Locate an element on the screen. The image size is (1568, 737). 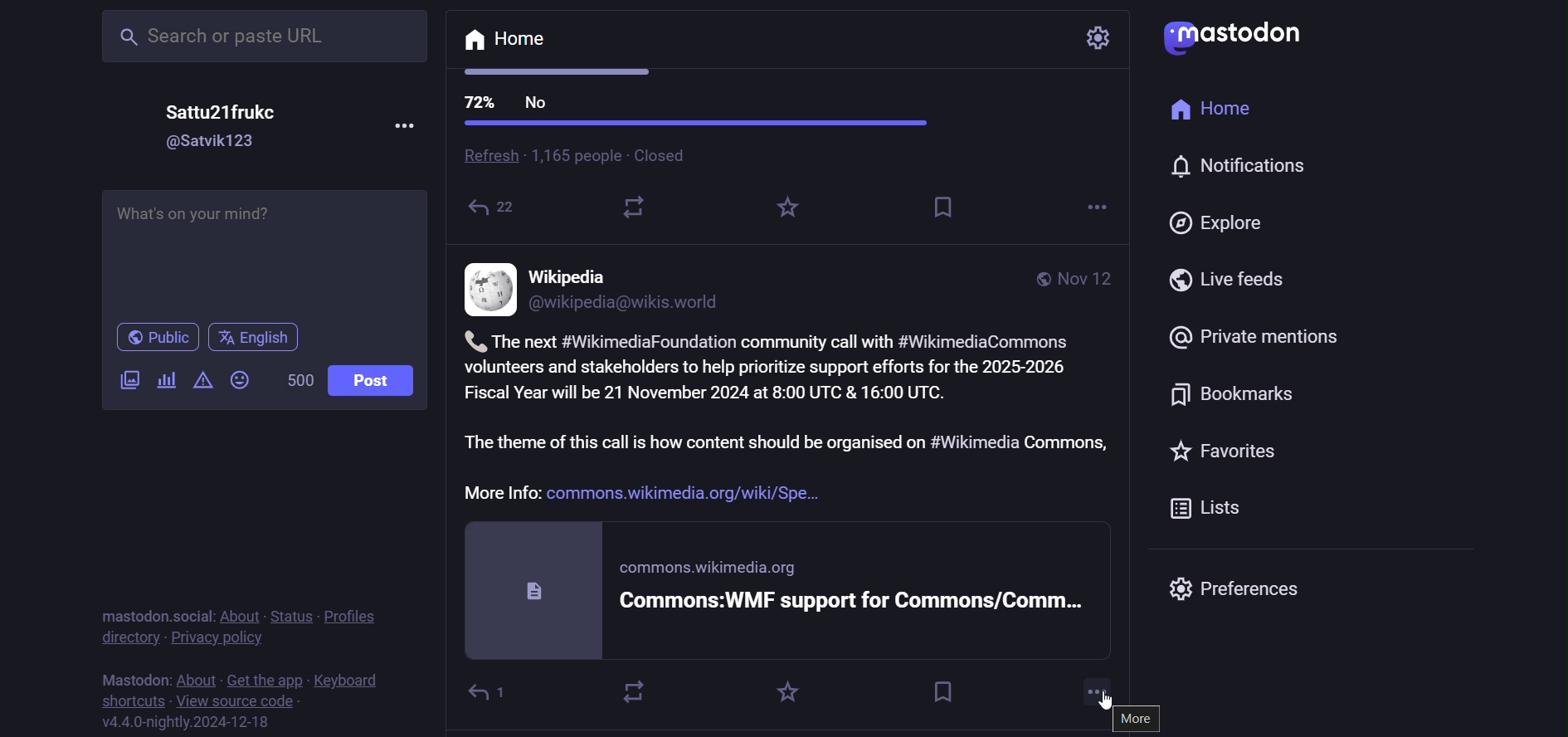
notification is located at coordinates (1246, 169).